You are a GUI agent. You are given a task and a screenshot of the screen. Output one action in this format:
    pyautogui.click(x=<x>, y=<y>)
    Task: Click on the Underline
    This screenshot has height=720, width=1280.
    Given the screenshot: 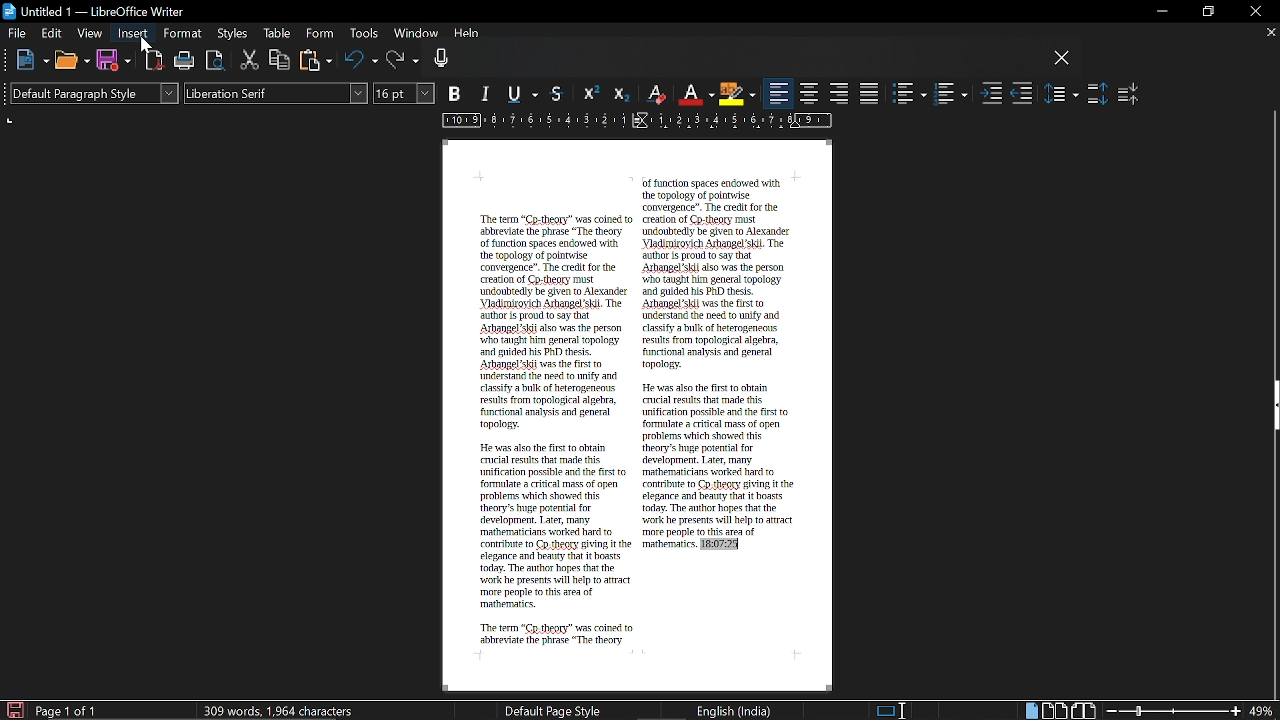 What is the action you would take?
    pyautogui.click(x=526, y=95)
    